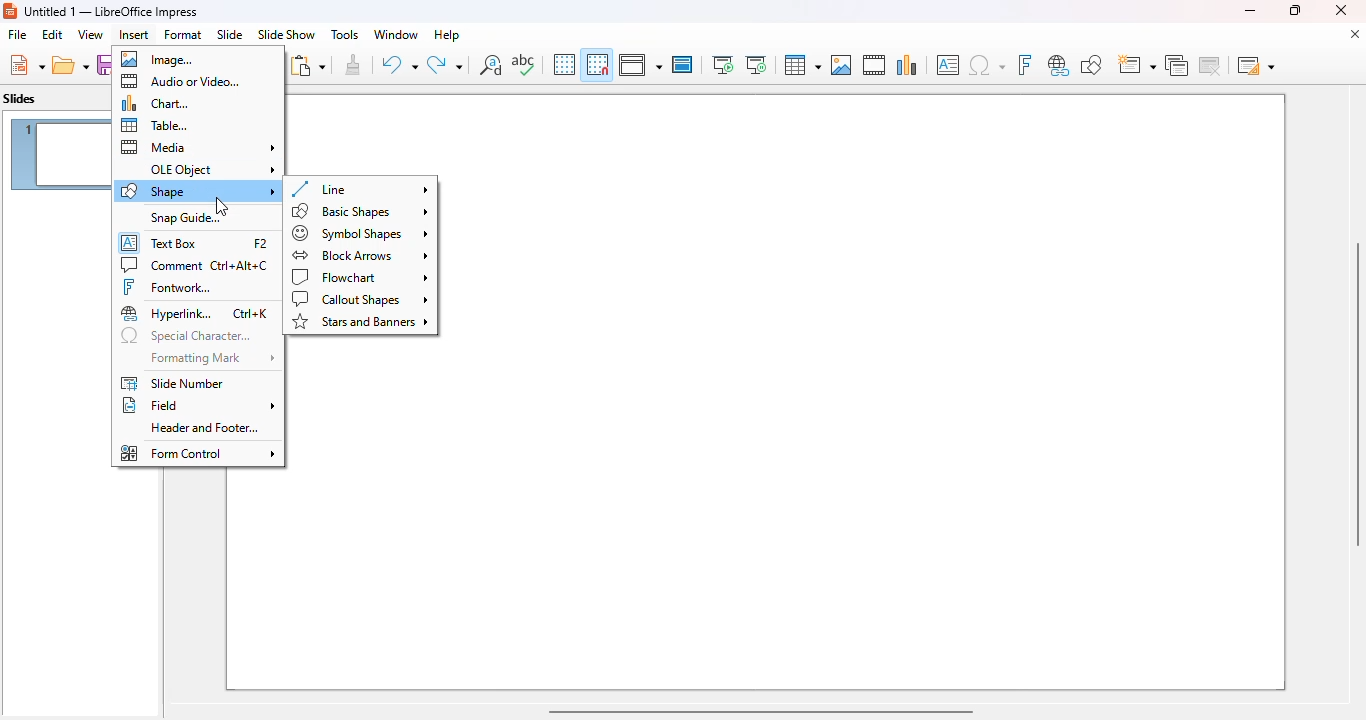 The width and height of the screenshot is (1366, 720). I want to click on slides, so click(20, 99).